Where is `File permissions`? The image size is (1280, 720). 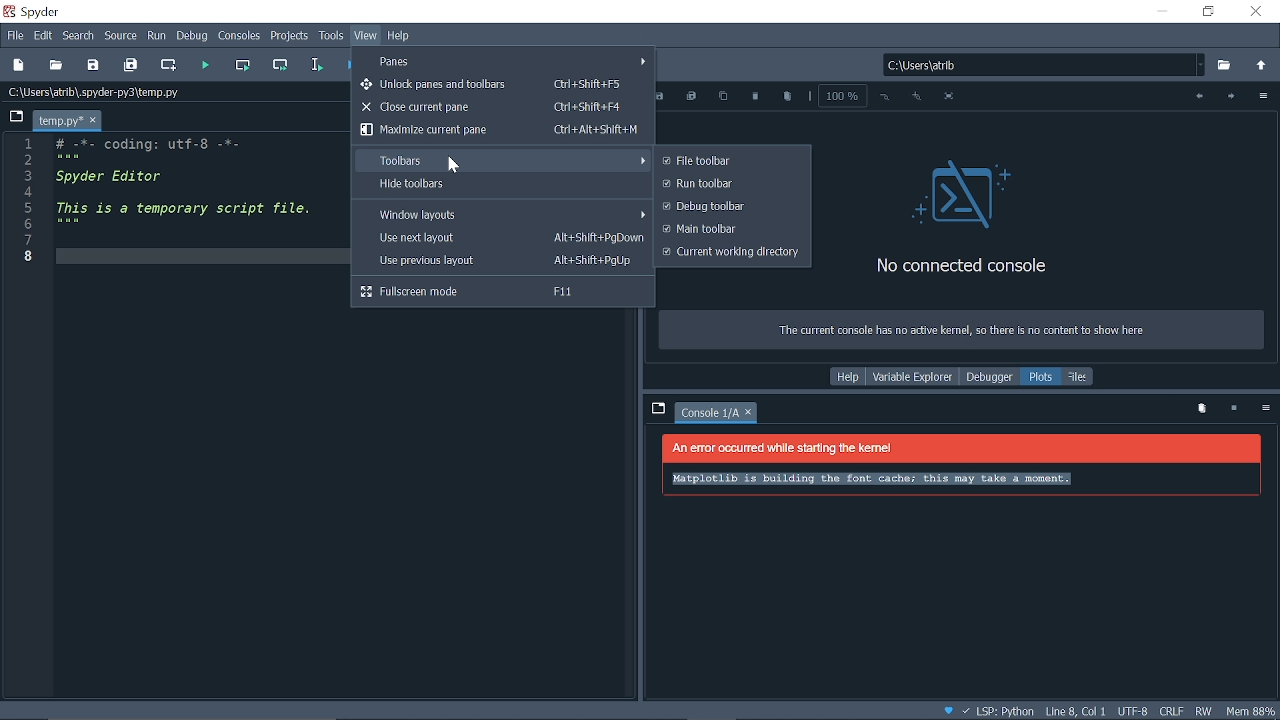
File permissions is located at coordinates (1205, 710).